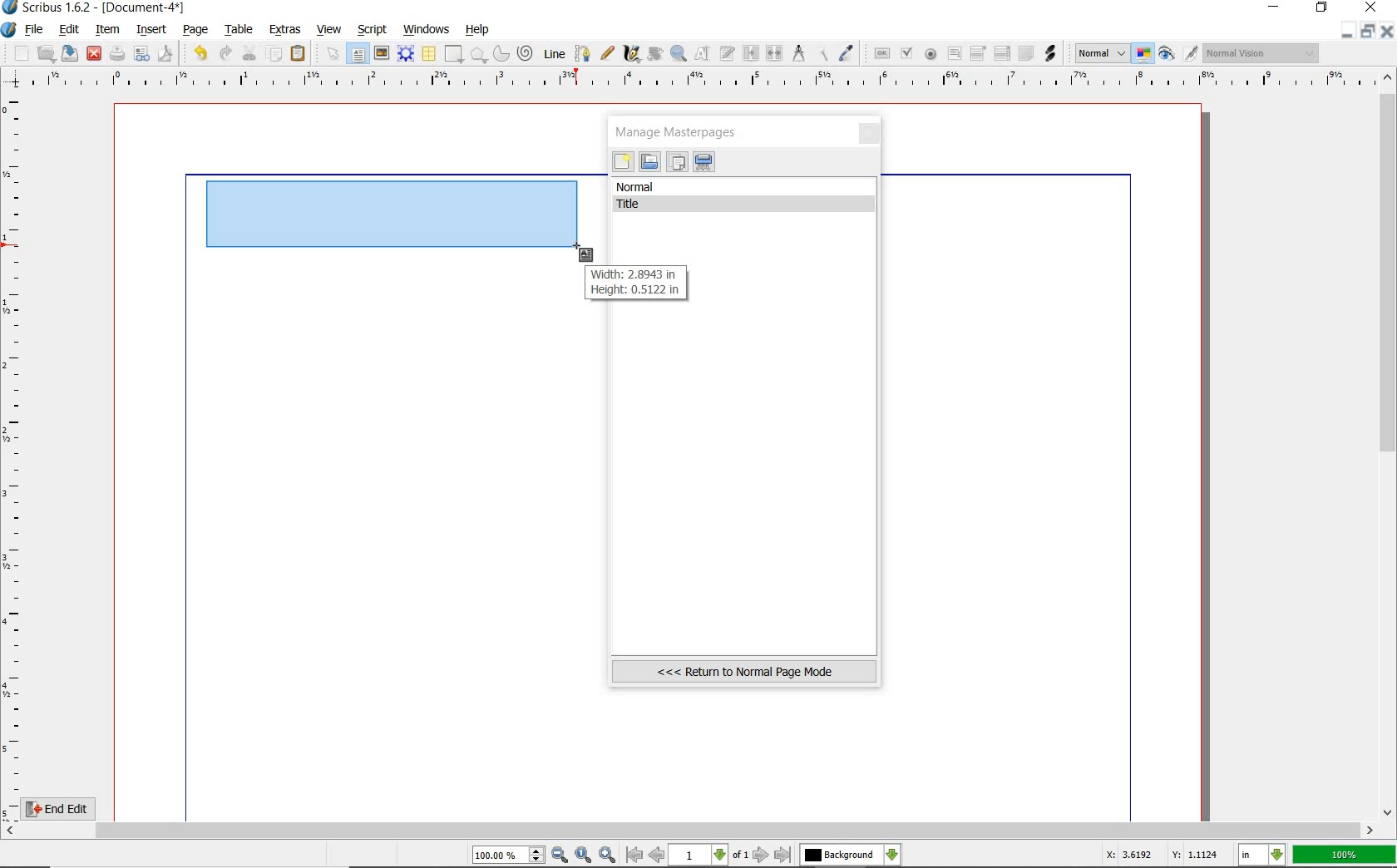 This screenshot has width=1397, height=868. I want to click on cut, so click(249, 52).